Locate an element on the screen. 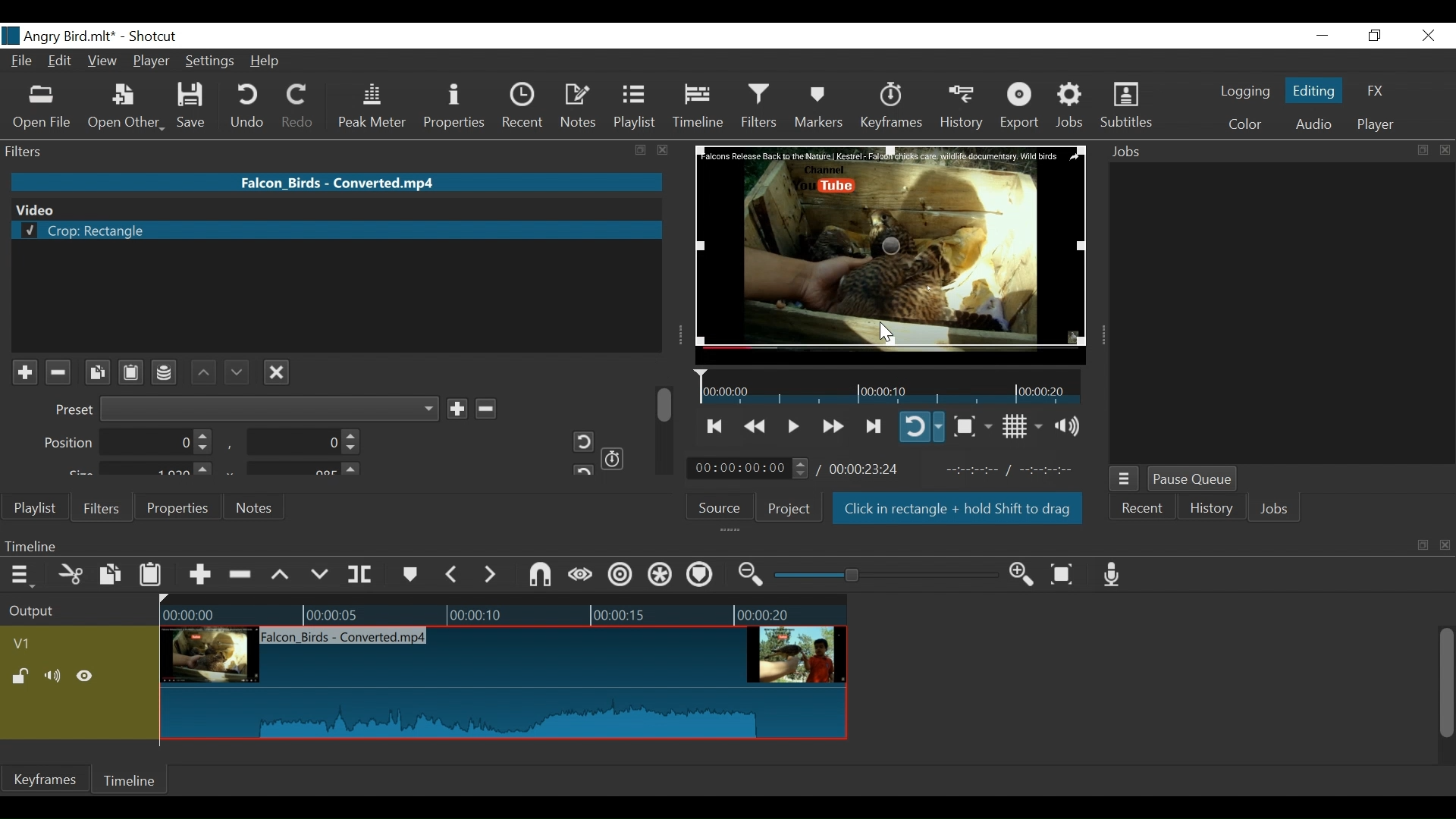  Present is located at coordinates (244, 409).